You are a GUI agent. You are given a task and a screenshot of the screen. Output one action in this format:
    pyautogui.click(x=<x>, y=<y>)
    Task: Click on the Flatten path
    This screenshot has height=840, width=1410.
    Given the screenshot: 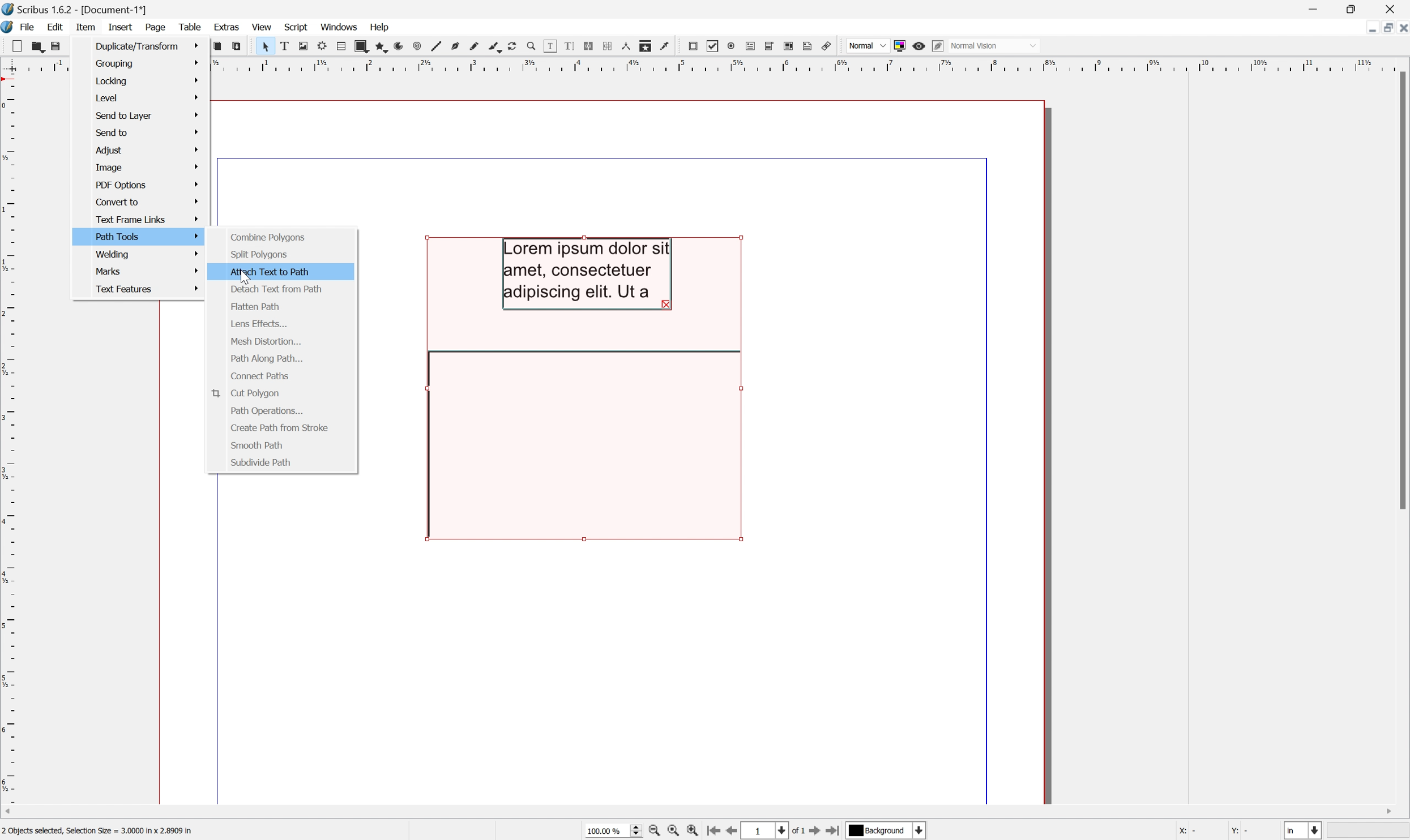 What is the action you would take?
    pyautogui.click(x=254, y=306)
    